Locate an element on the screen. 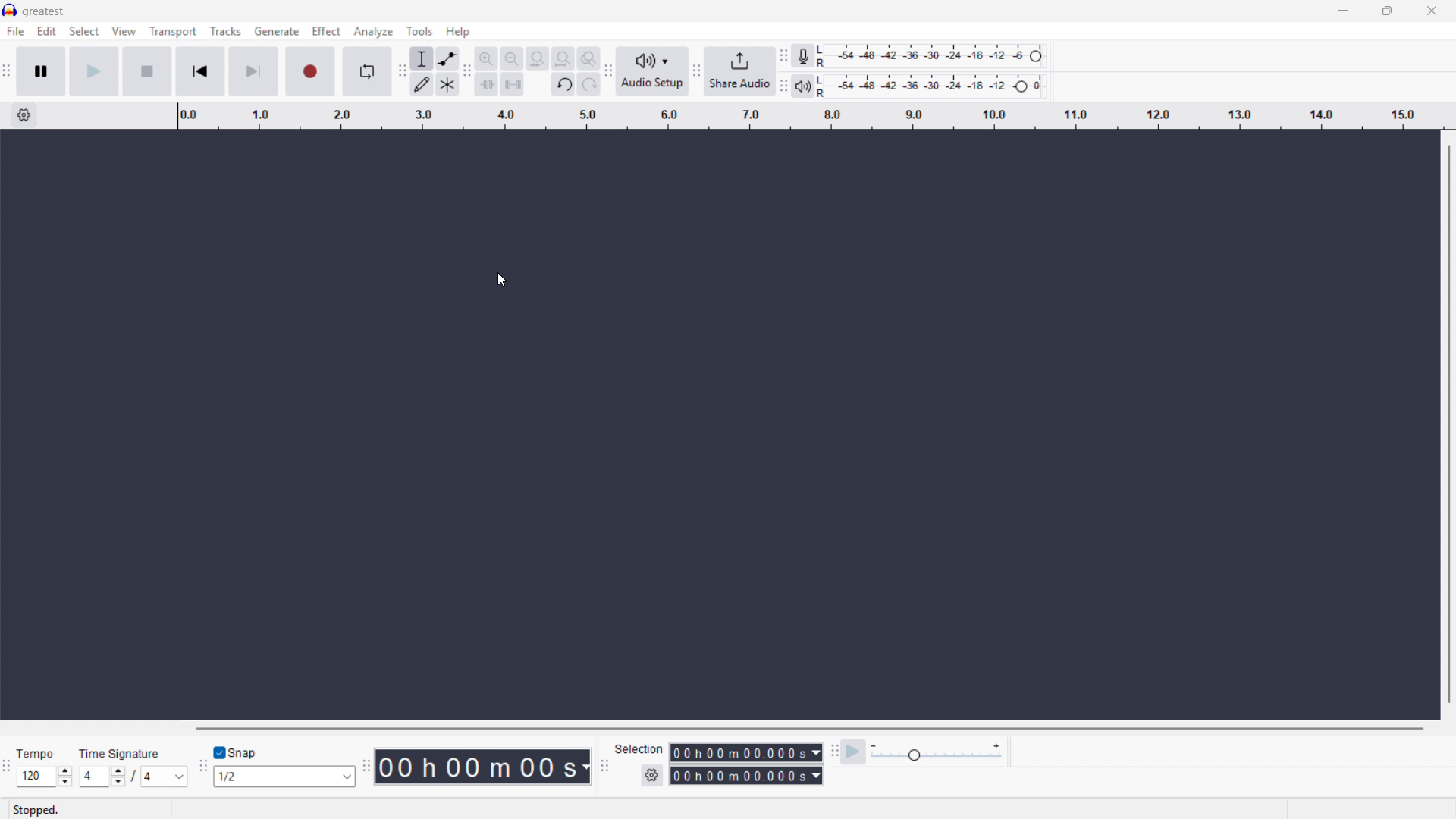 The height and width of the screenshot is (819, 1456). view  is located at coordinates (124, 30).